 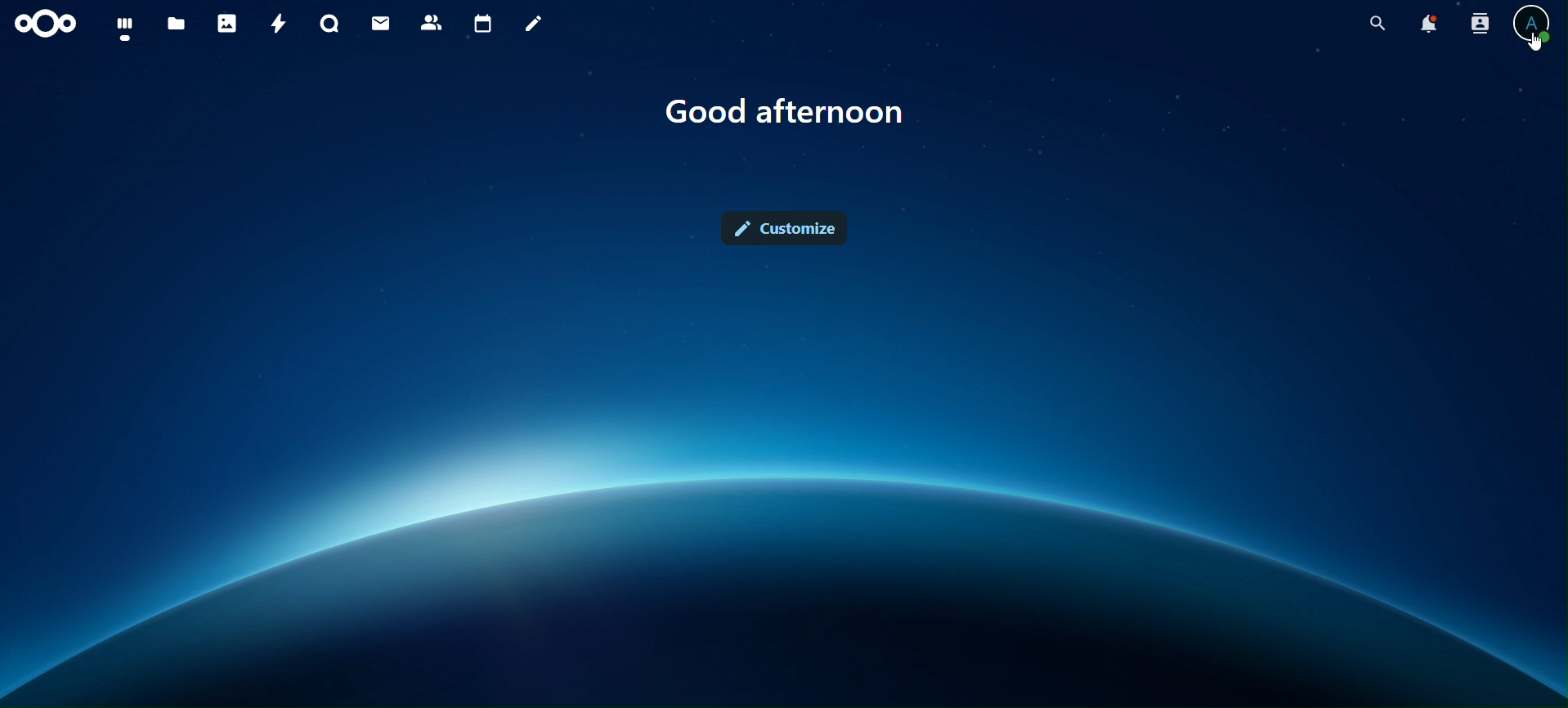 I want to click on files, so click(x=179, y=23).